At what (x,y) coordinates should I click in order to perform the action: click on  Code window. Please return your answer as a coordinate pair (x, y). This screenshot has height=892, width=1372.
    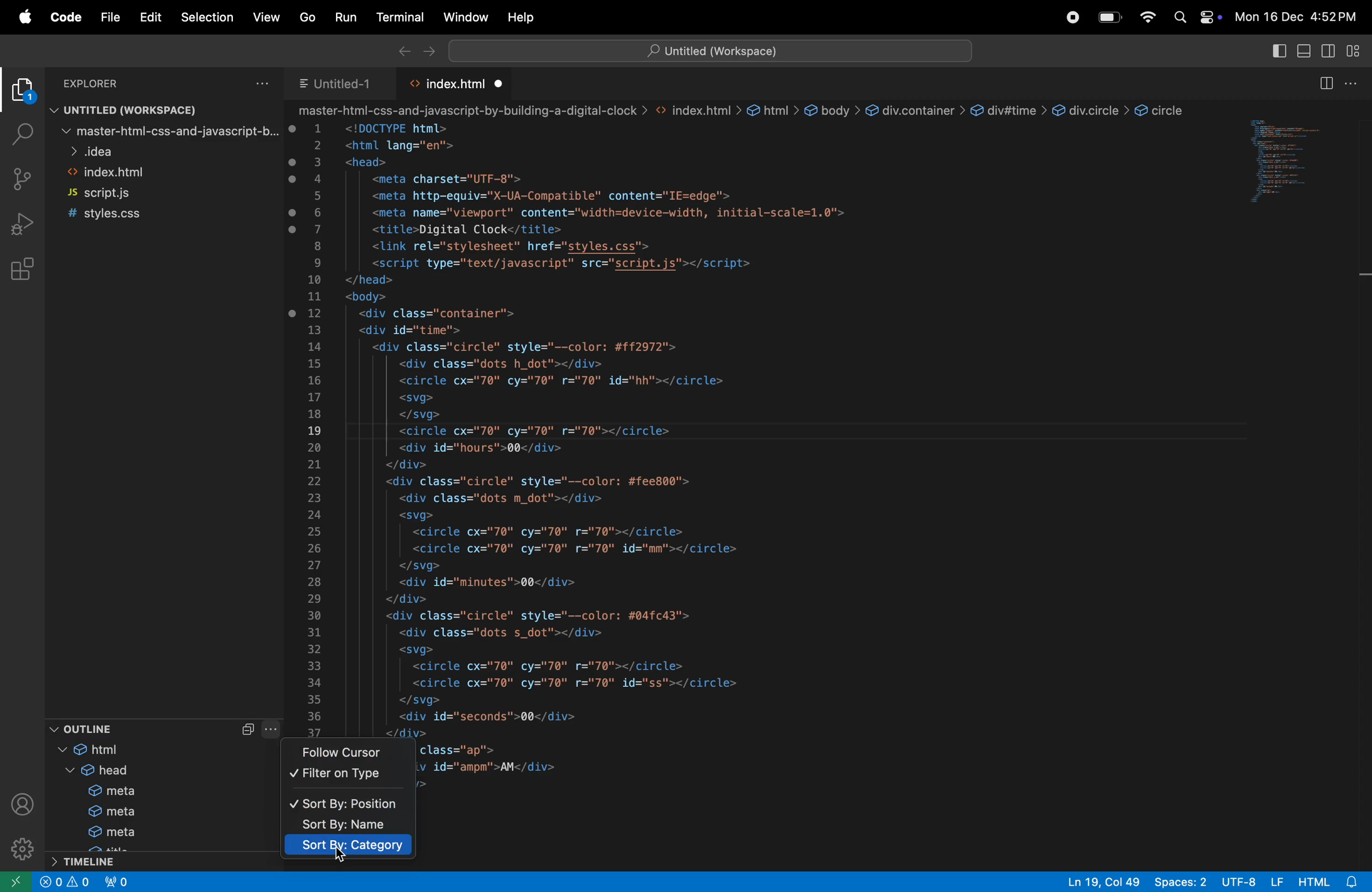
    Looking at the image, I should click on (1298, 168).